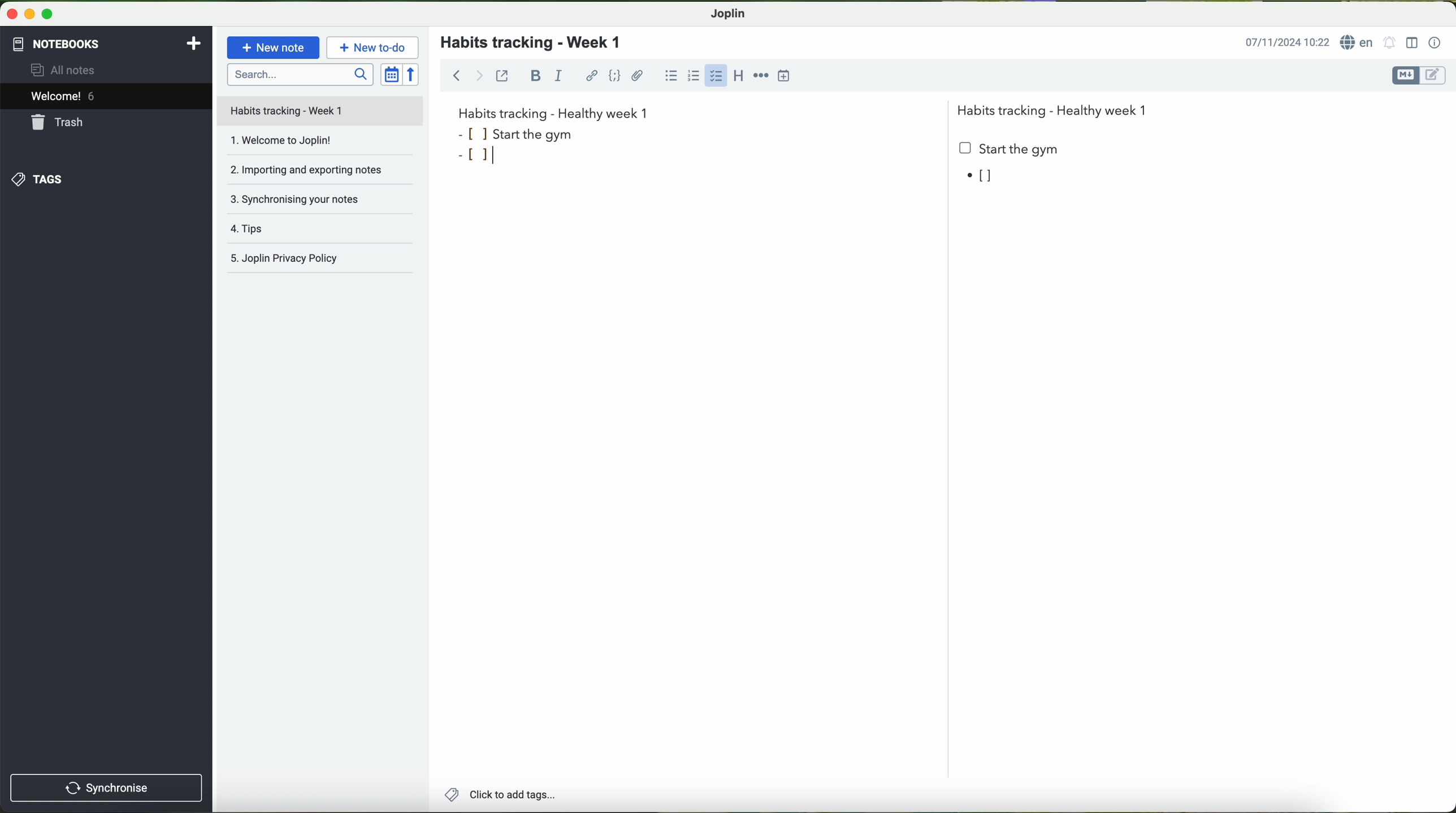 The image size is (1456, 813). What do you see at coordinates (983, 176) in the screenshot?
I see `bullet point` at bounding box center [983, 176].